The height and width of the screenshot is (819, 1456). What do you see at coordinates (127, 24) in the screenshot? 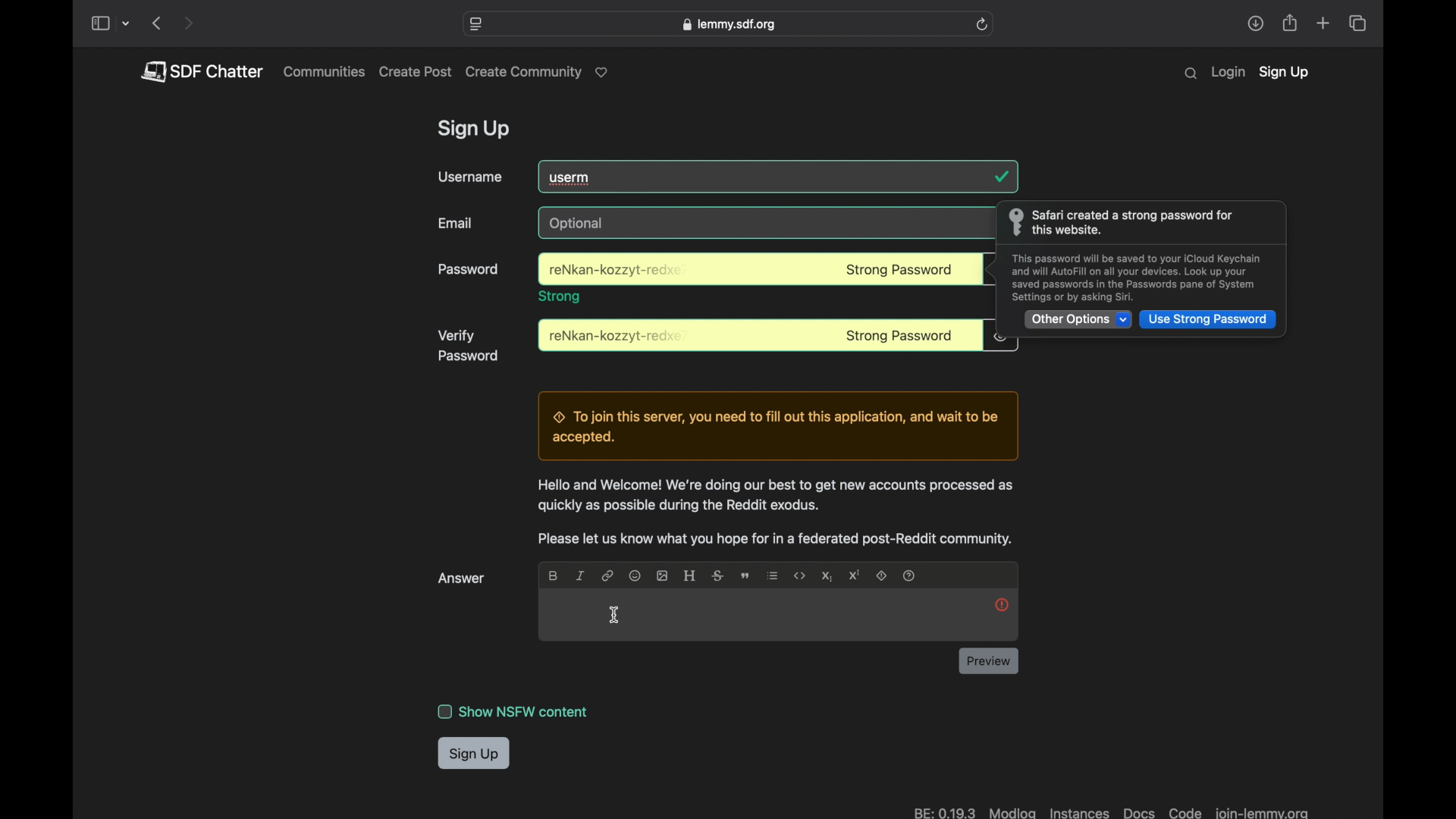
I see `tab group picker` at bounding box center [127, 24].